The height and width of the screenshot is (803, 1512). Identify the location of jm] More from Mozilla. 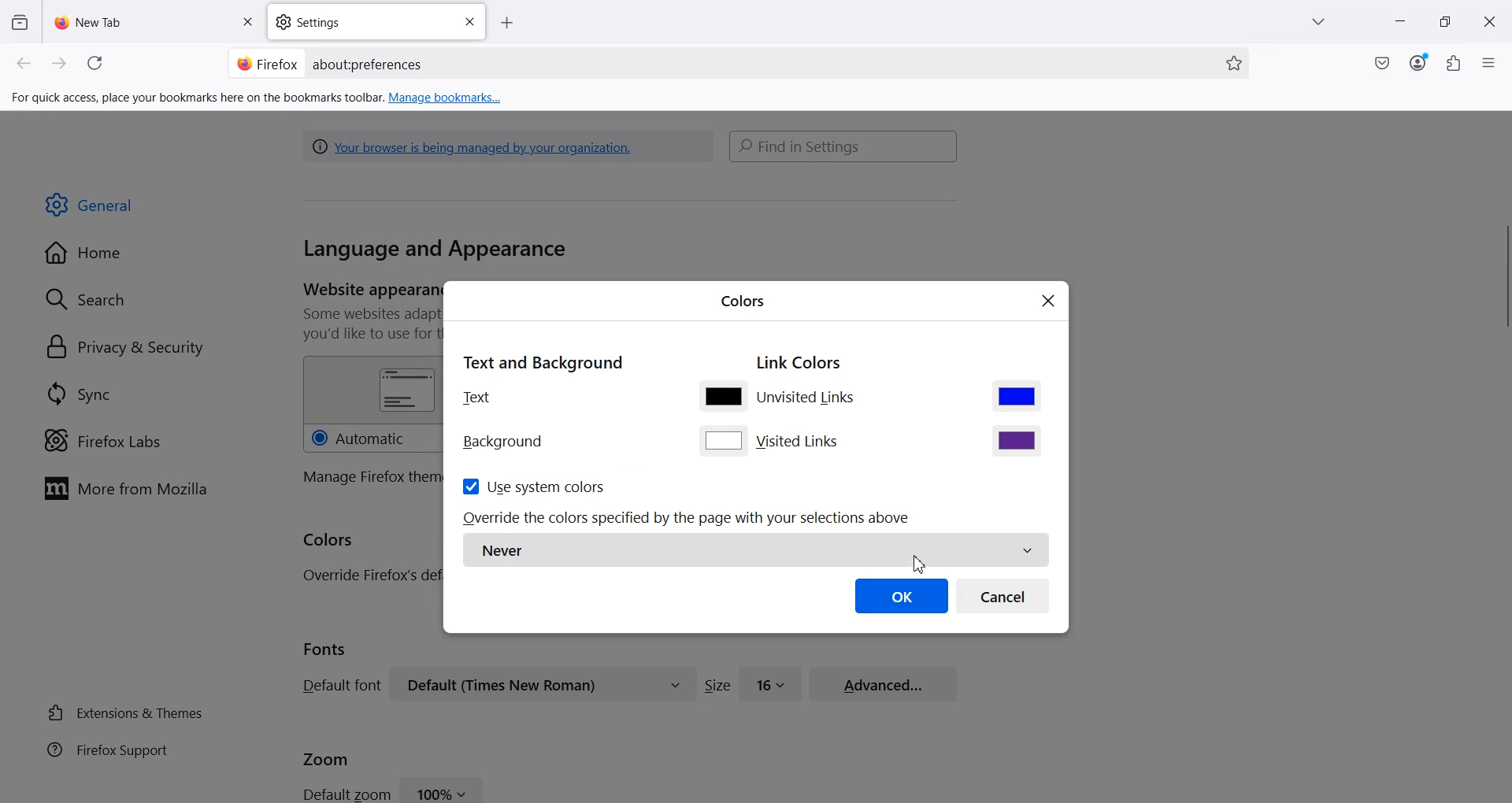
(125, 490).